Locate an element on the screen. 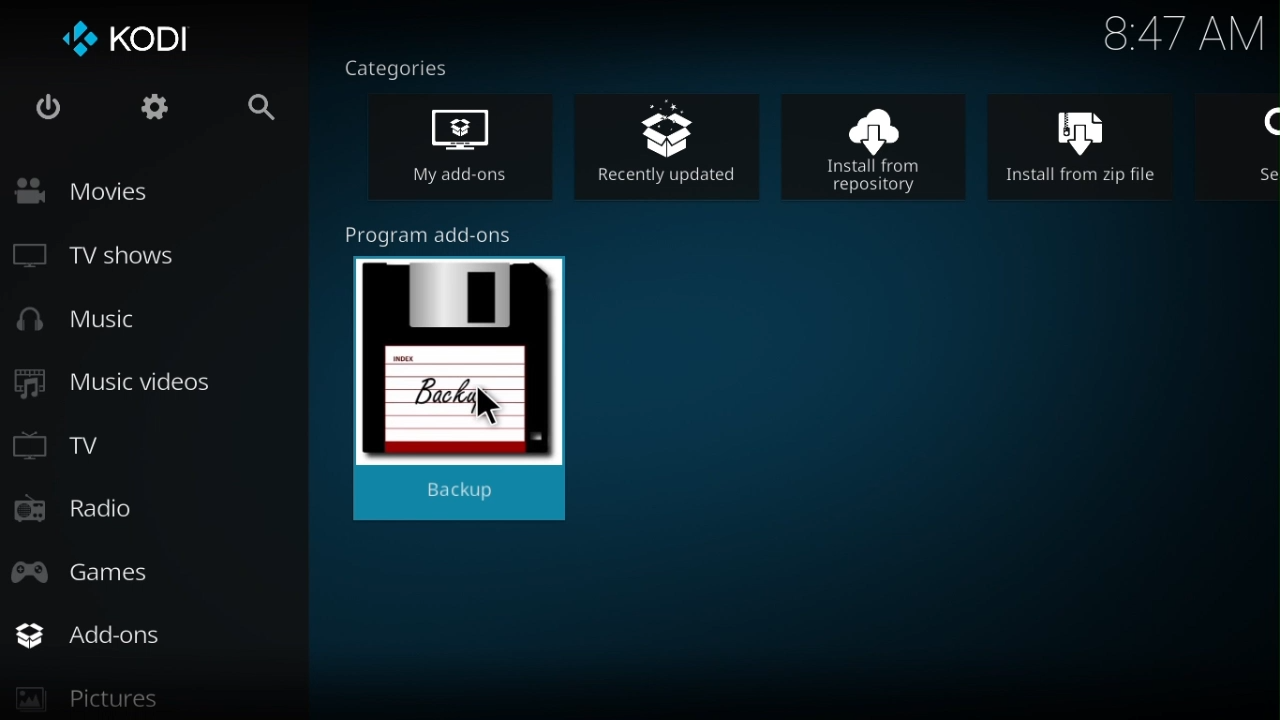 This screenshot has width=1280, height=720. add-ons is located at coordinates (162, 635).